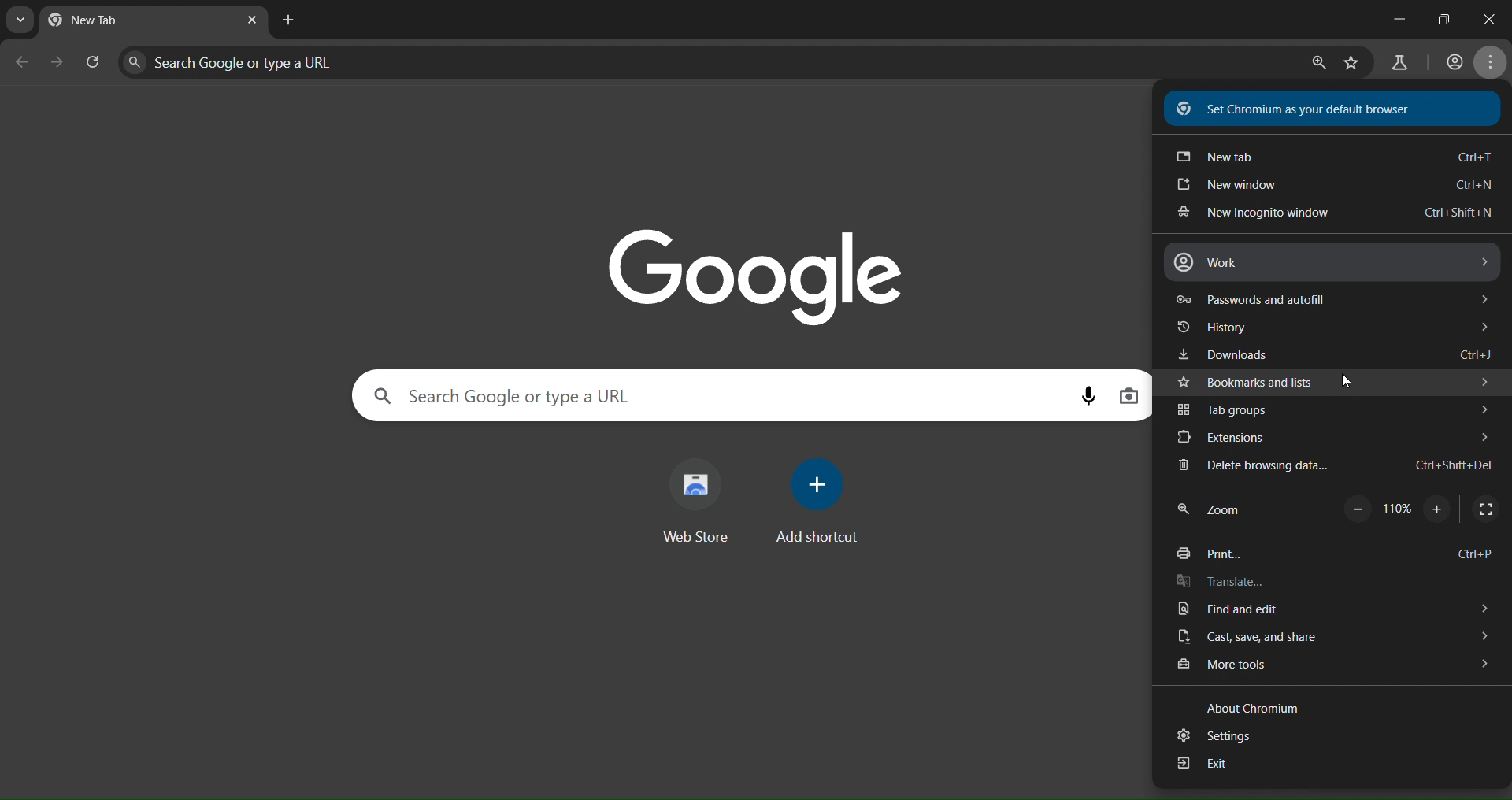 The image size is (1512, 800). I want to click on display fullscreen, so click(1488, 508).